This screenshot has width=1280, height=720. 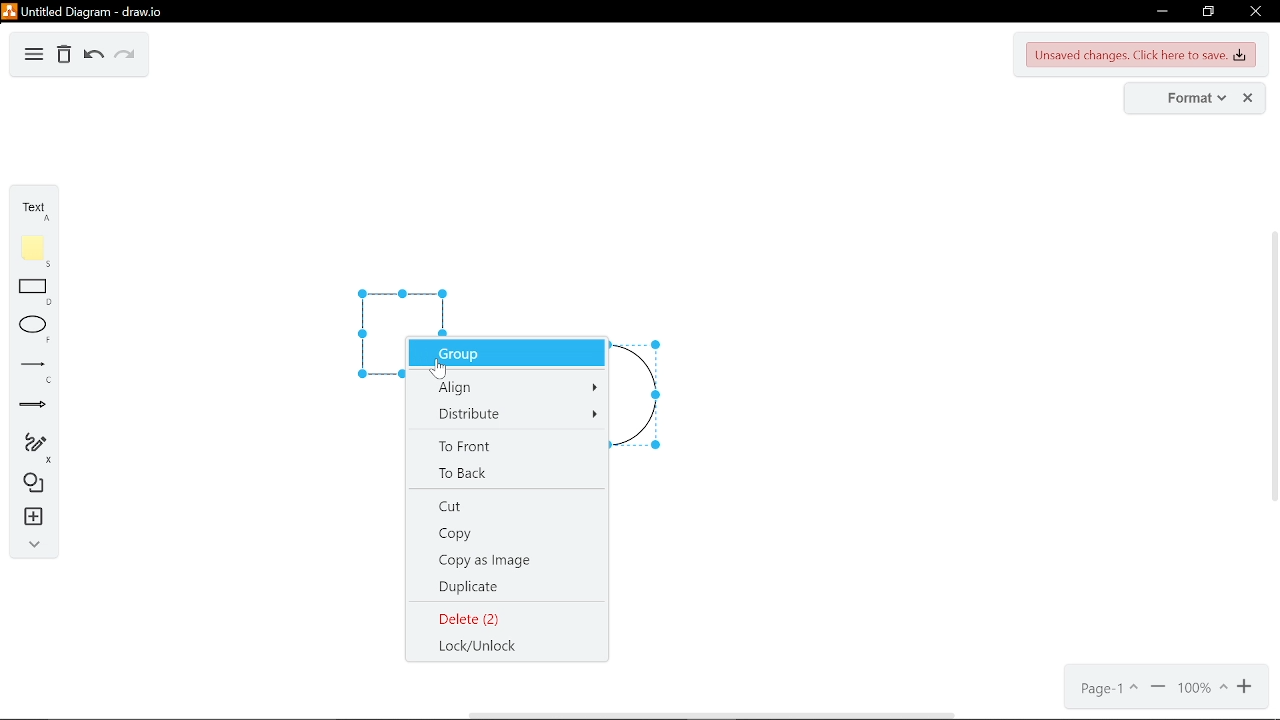 I want to click on unsaved changes. Click here to save, so click(x=1142, y=56).